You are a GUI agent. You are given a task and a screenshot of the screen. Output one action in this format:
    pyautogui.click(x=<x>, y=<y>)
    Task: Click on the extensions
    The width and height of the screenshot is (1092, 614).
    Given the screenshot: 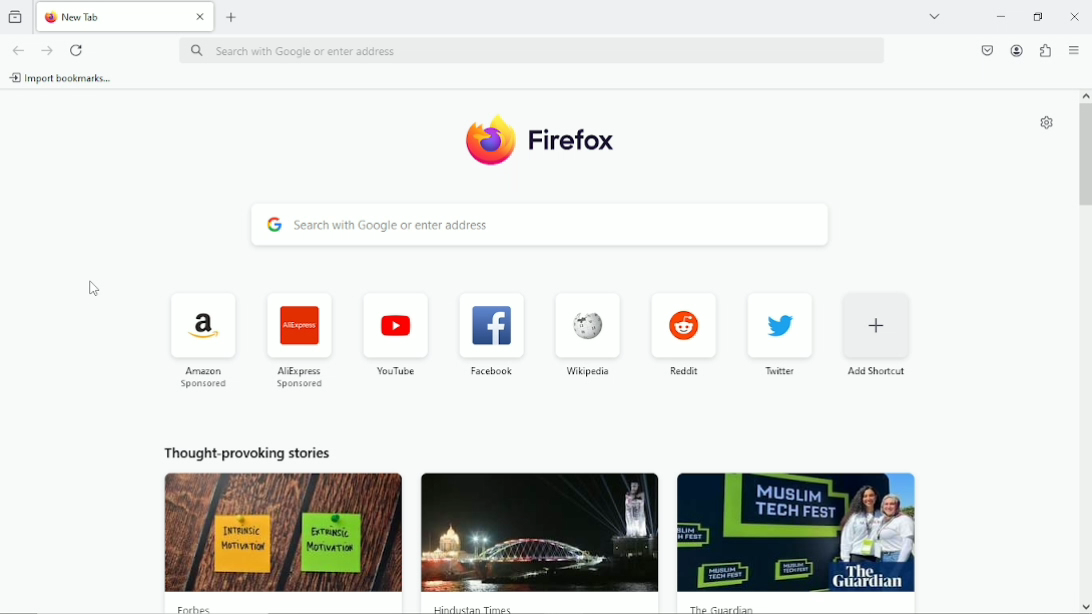 What is the action you would take?
    pyautogui.click(x=1044, y=50)
    